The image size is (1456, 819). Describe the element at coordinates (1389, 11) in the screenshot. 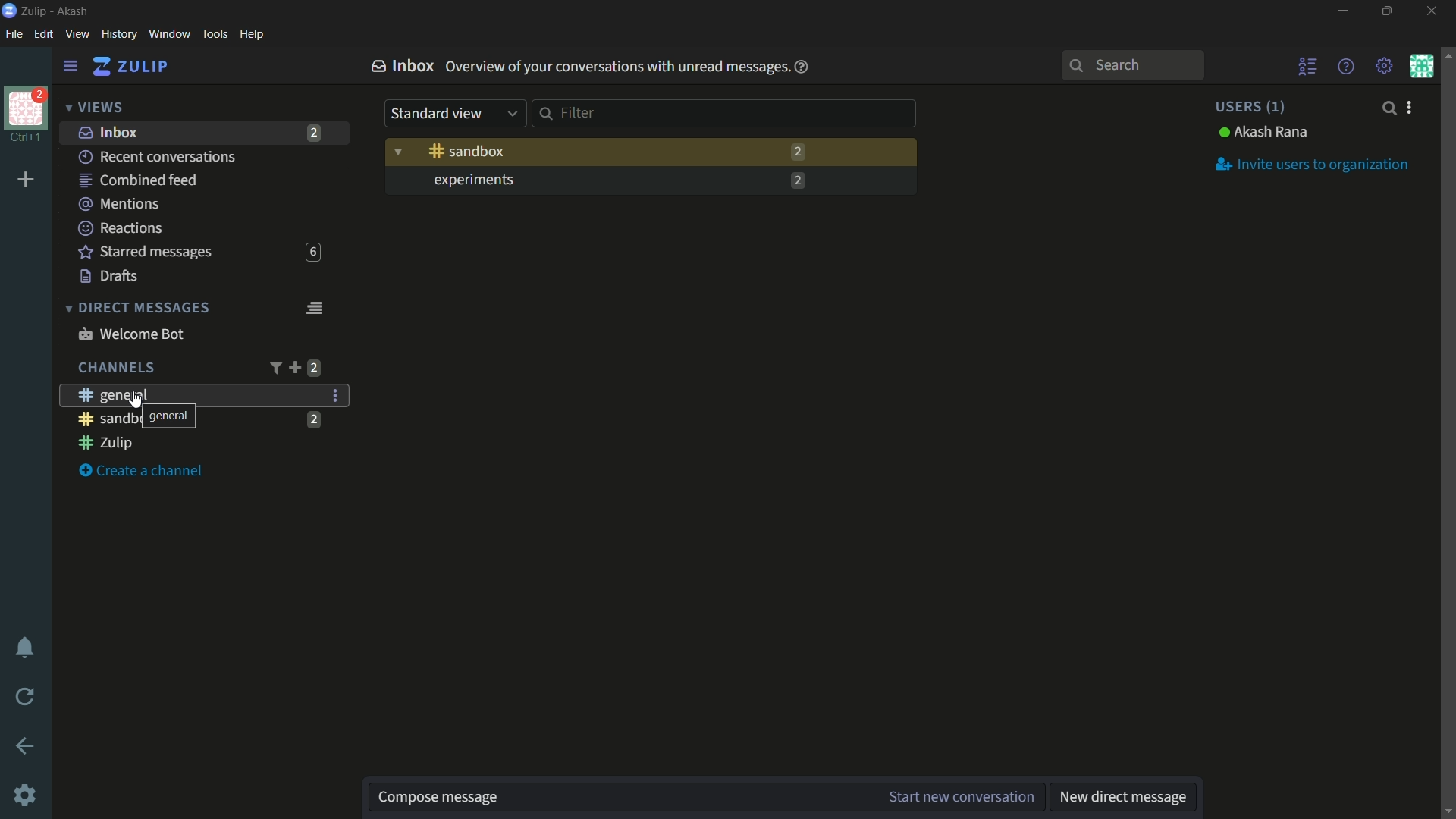

I see `maximize or restore` at that location.